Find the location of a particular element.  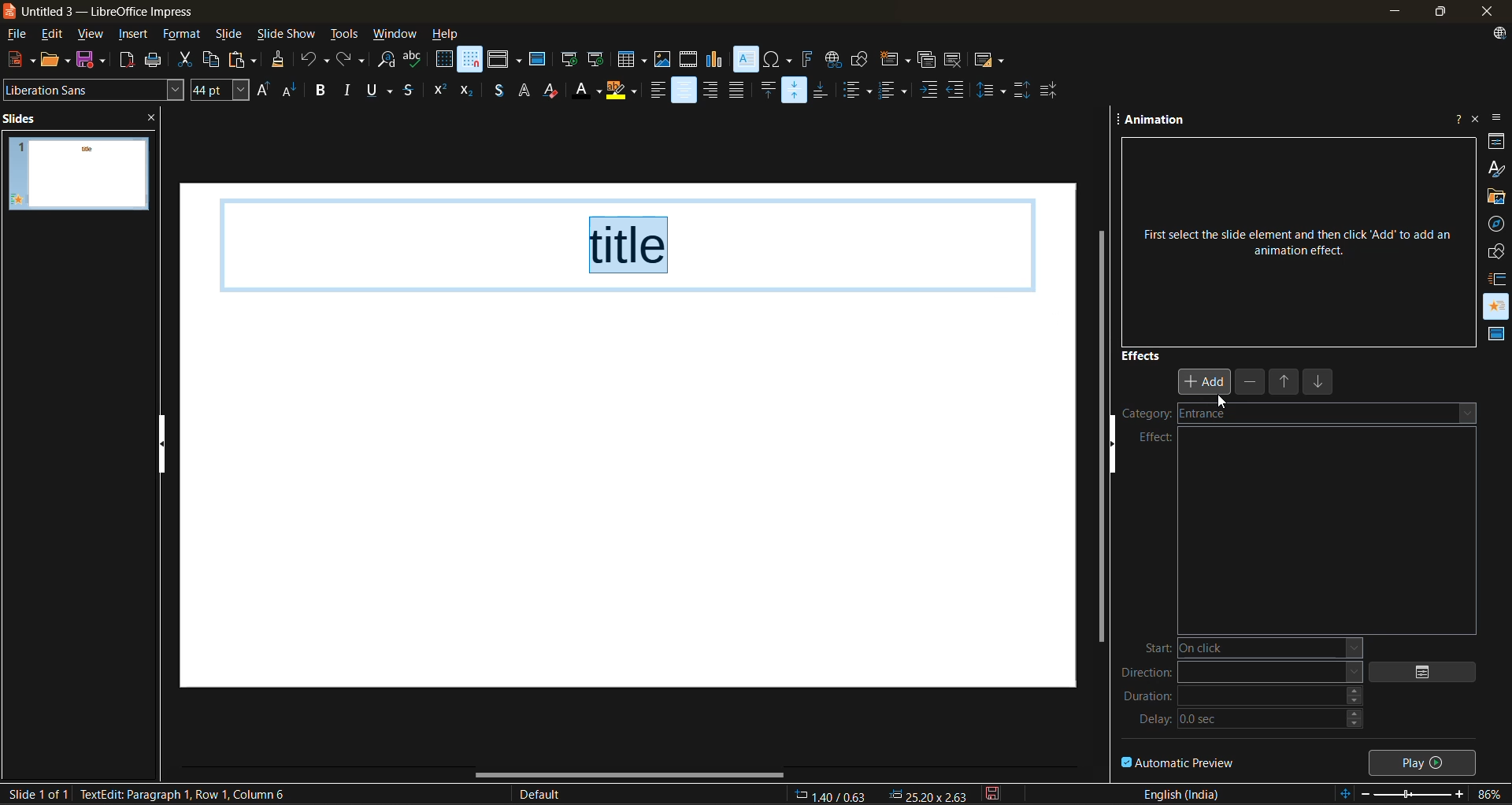

metadata is located at coordinates (193, 794).